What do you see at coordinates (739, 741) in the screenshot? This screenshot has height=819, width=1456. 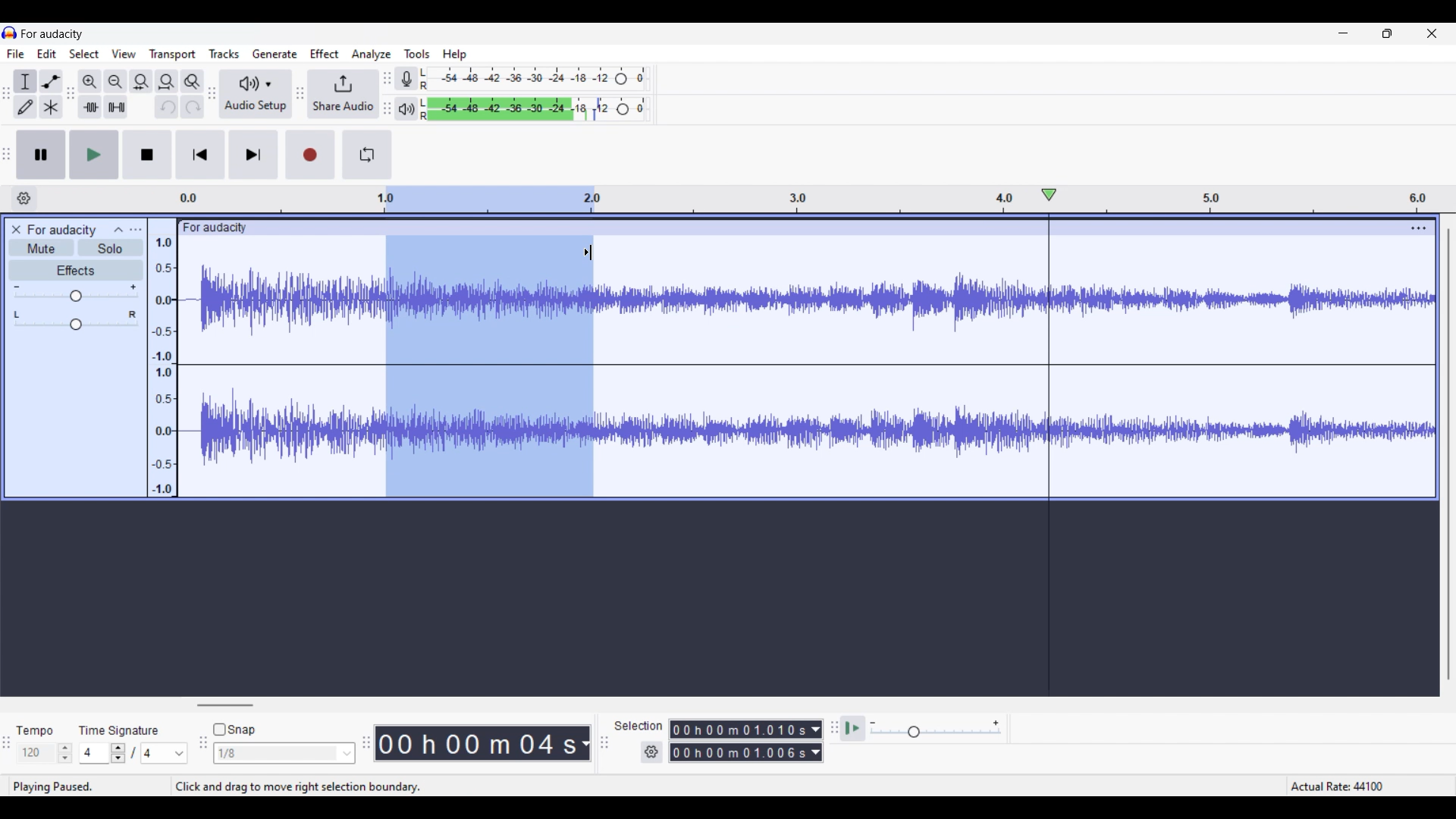 I see `0 0 h 0 0 m 0 0 0 0 0 s     0 0 h 02 m 1 3 0 6 8 s` at bounding box center [739, 741].